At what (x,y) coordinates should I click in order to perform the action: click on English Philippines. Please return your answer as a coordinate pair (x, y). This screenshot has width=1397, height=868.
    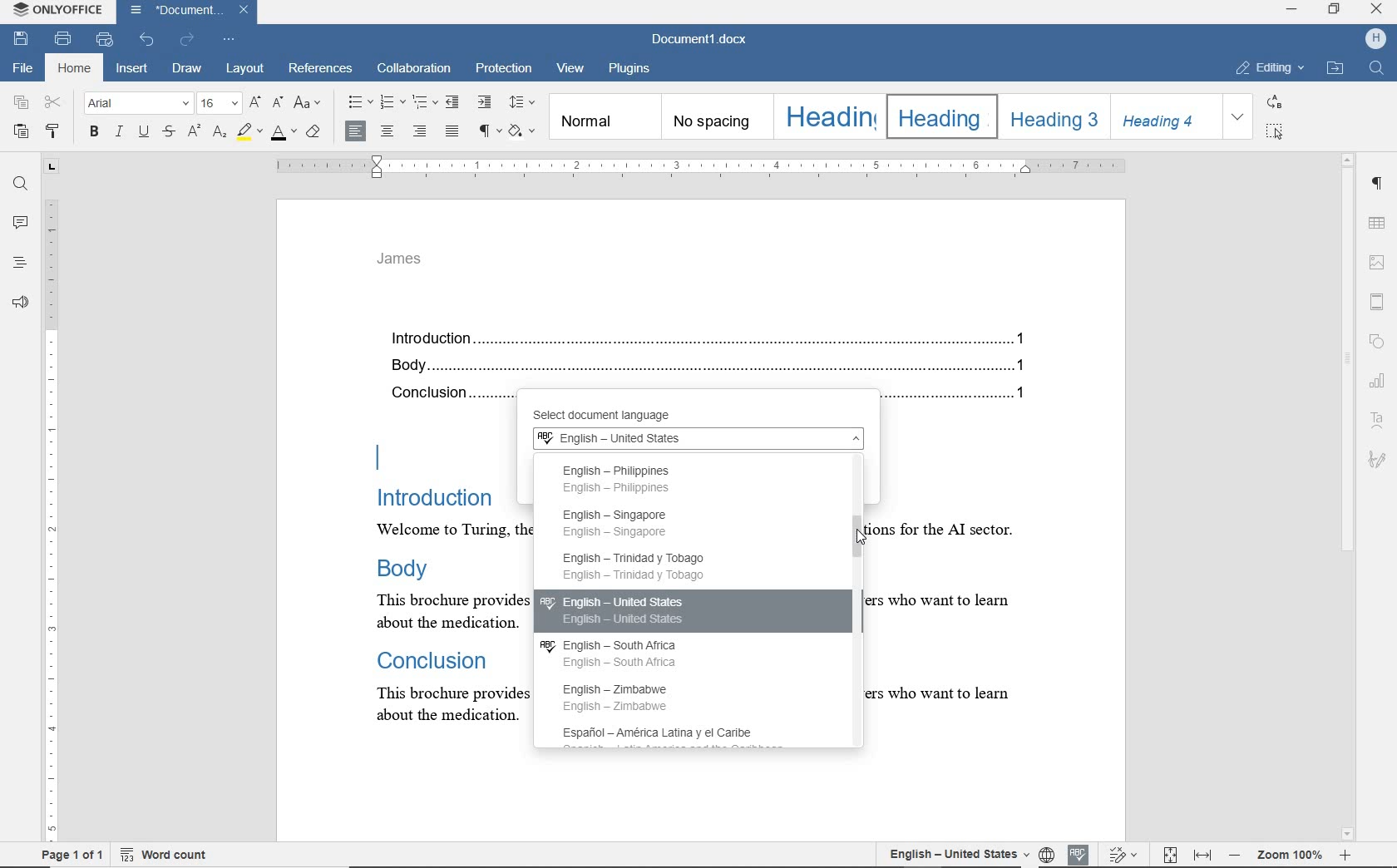
    Looking at the image, I should click on (620, 480).